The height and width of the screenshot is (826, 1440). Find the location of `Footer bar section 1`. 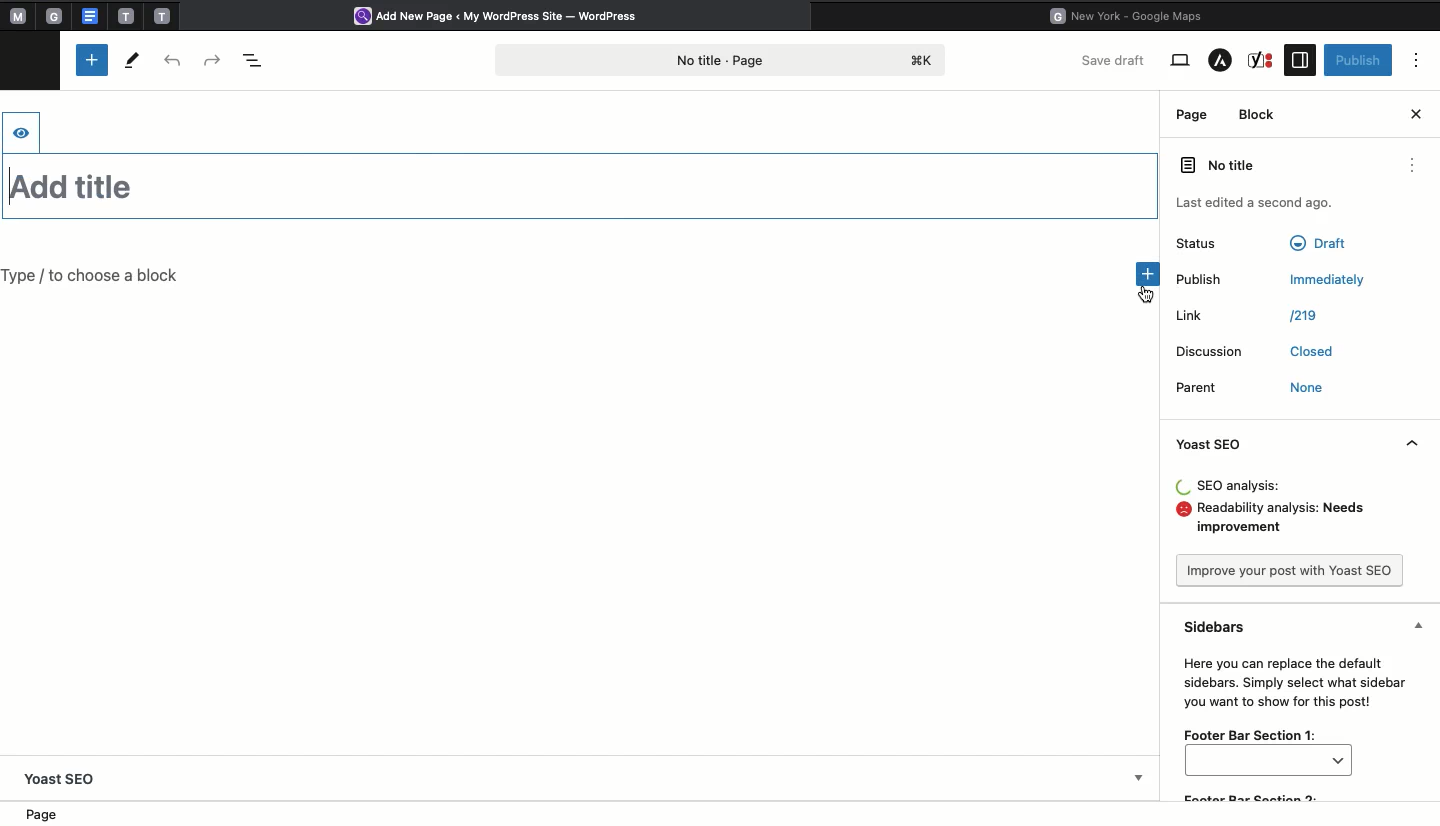

Footer bar section 1 is located at coordinates (1261, 734).